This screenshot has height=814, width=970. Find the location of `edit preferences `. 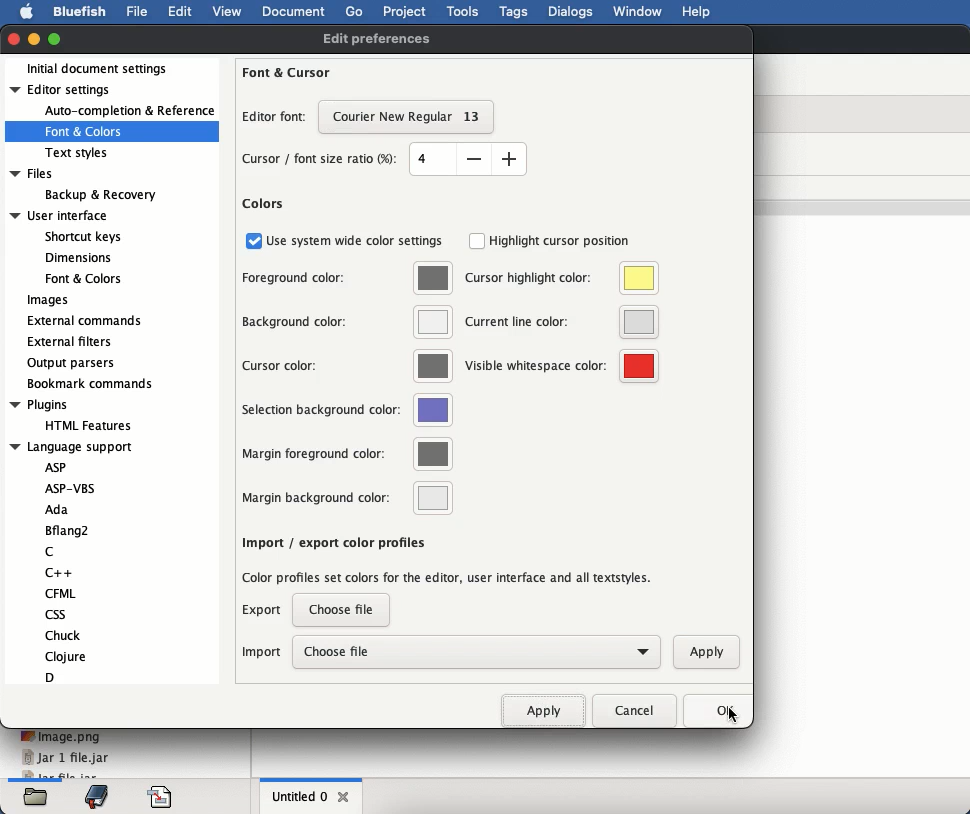

edit preferences  is located at coordinates (375, 41).